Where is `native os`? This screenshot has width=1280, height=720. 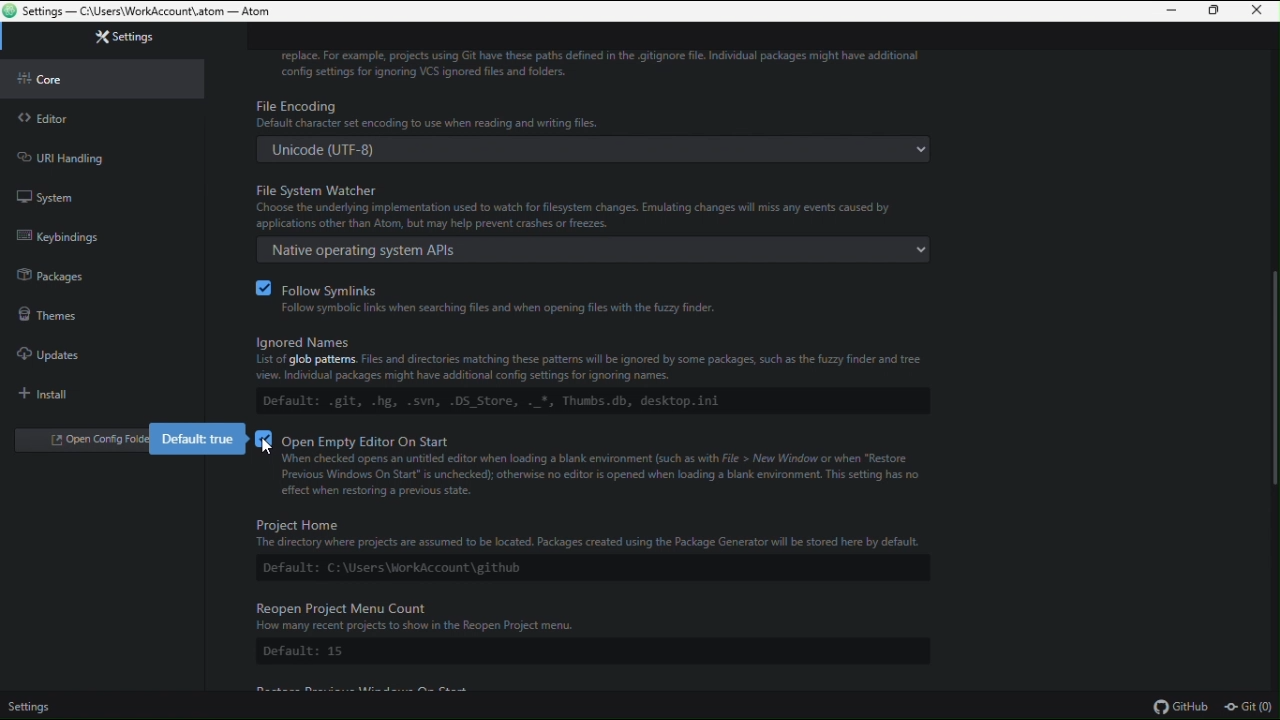 native os is located at coordinates (588, 250).